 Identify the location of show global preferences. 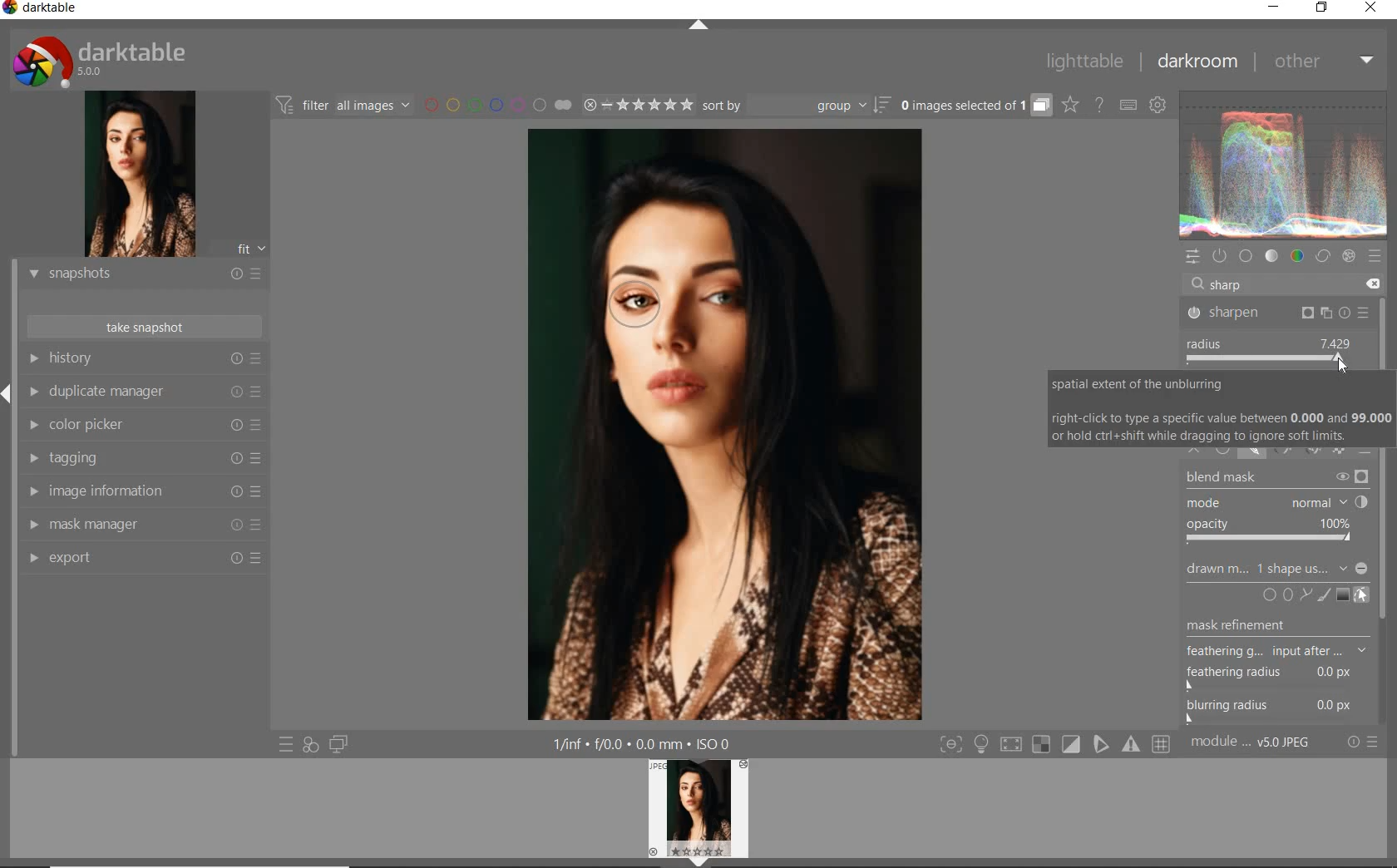
(1157, 101).